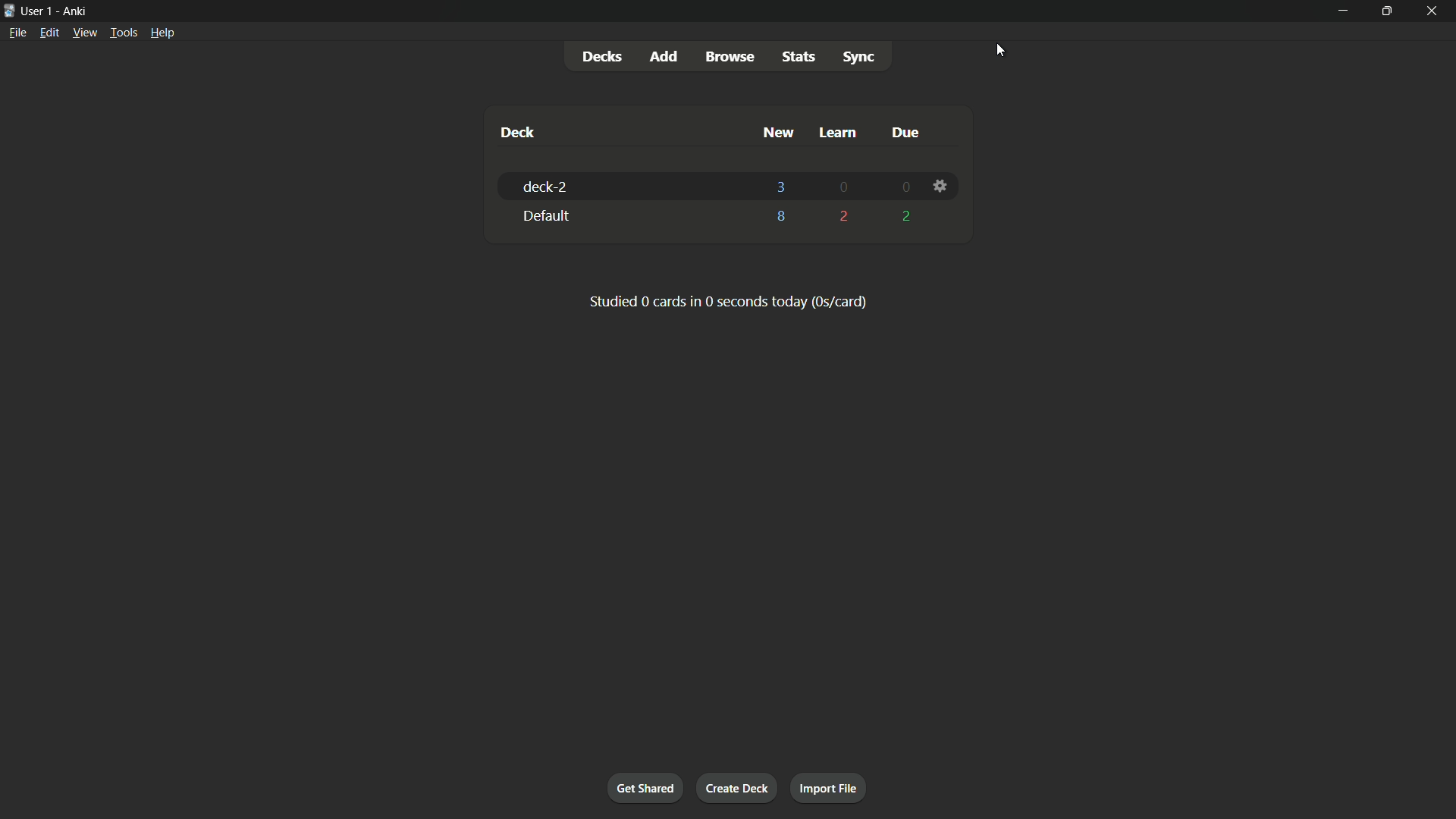 This screenshot has width=1456, height=819. I want to click on app icon, so click(9, 10).